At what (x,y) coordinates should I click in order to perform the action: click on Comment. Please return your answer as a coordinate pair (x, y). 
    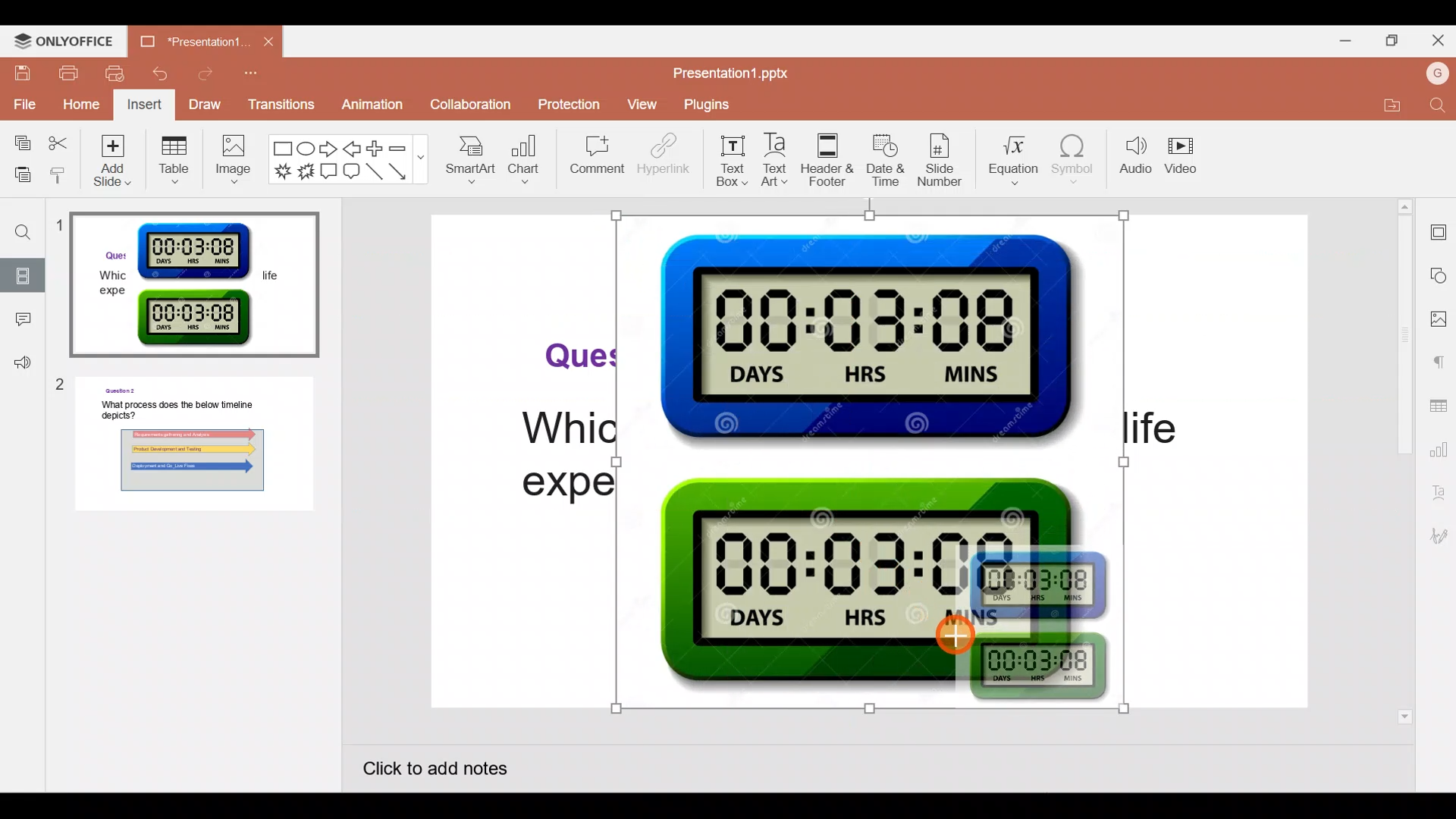
    Looking at the image, I should click on (592, 158).